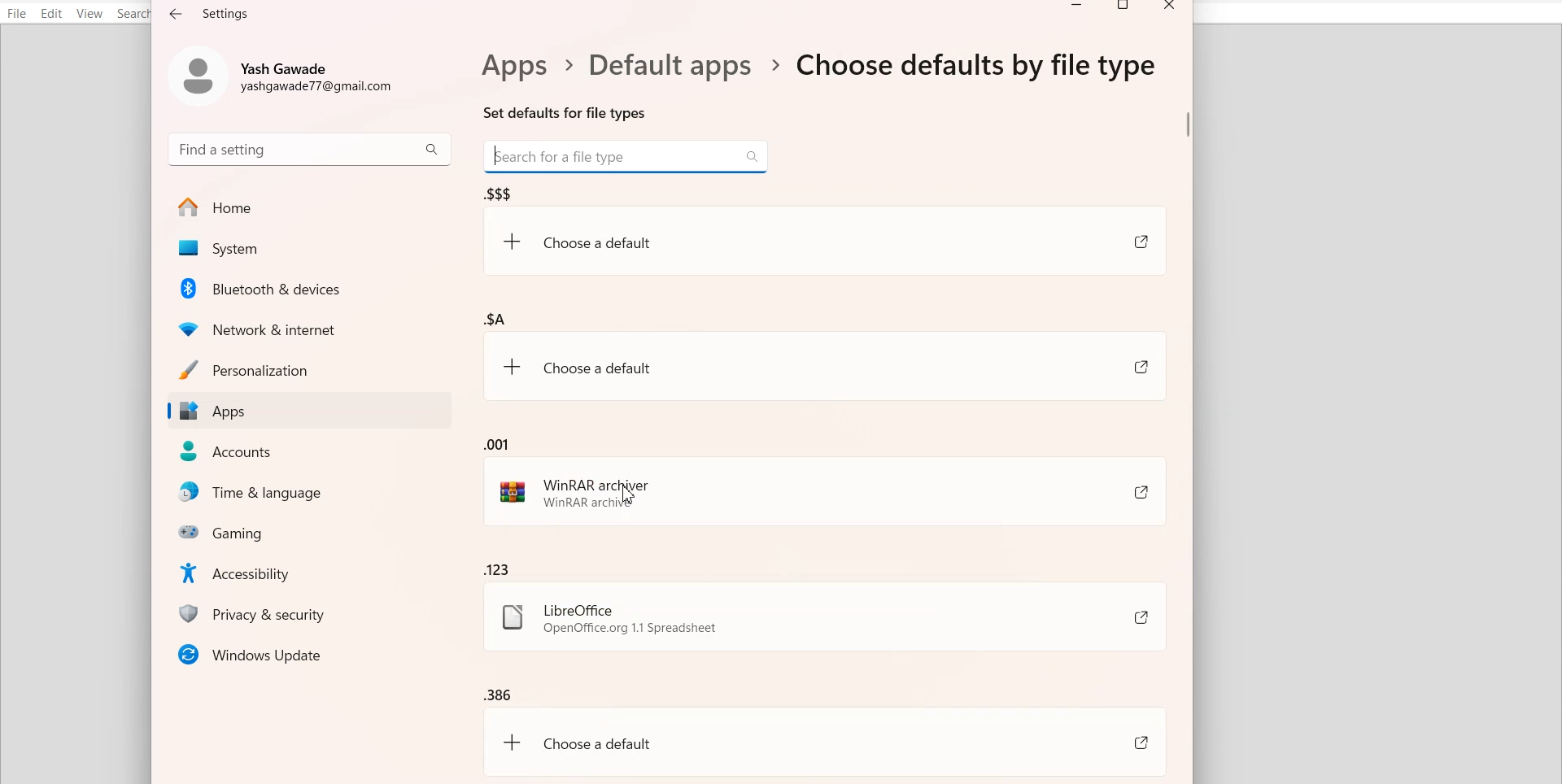 This screenshot has height=784, width=1562. I want to click on Accounts, so click(311, 451).